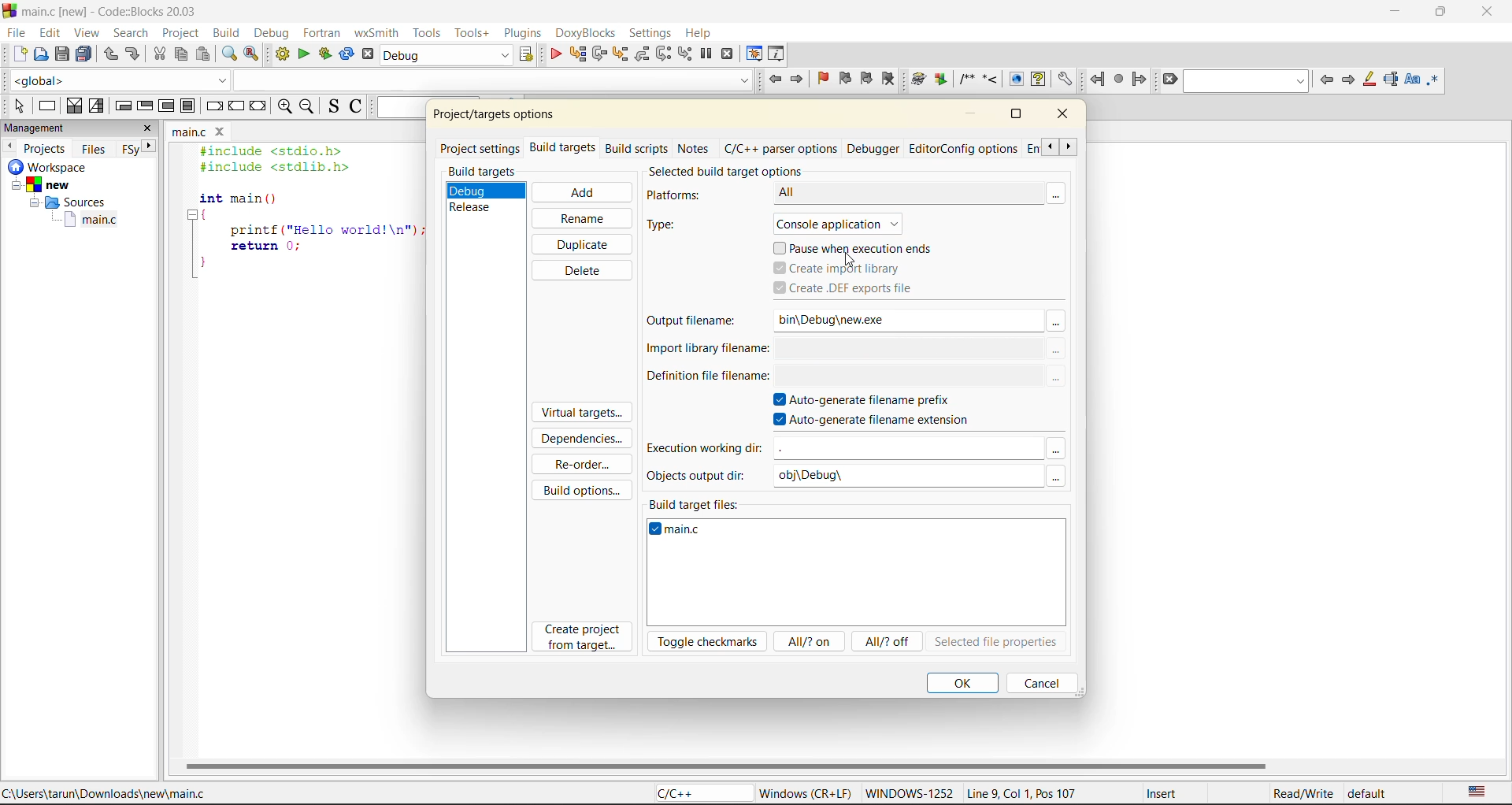 Image resolution: width=1512 pixels, height=805 pixels. Describe the element at coordinates (865, 77) in the screenshot. I see `next bookmark` at that location.